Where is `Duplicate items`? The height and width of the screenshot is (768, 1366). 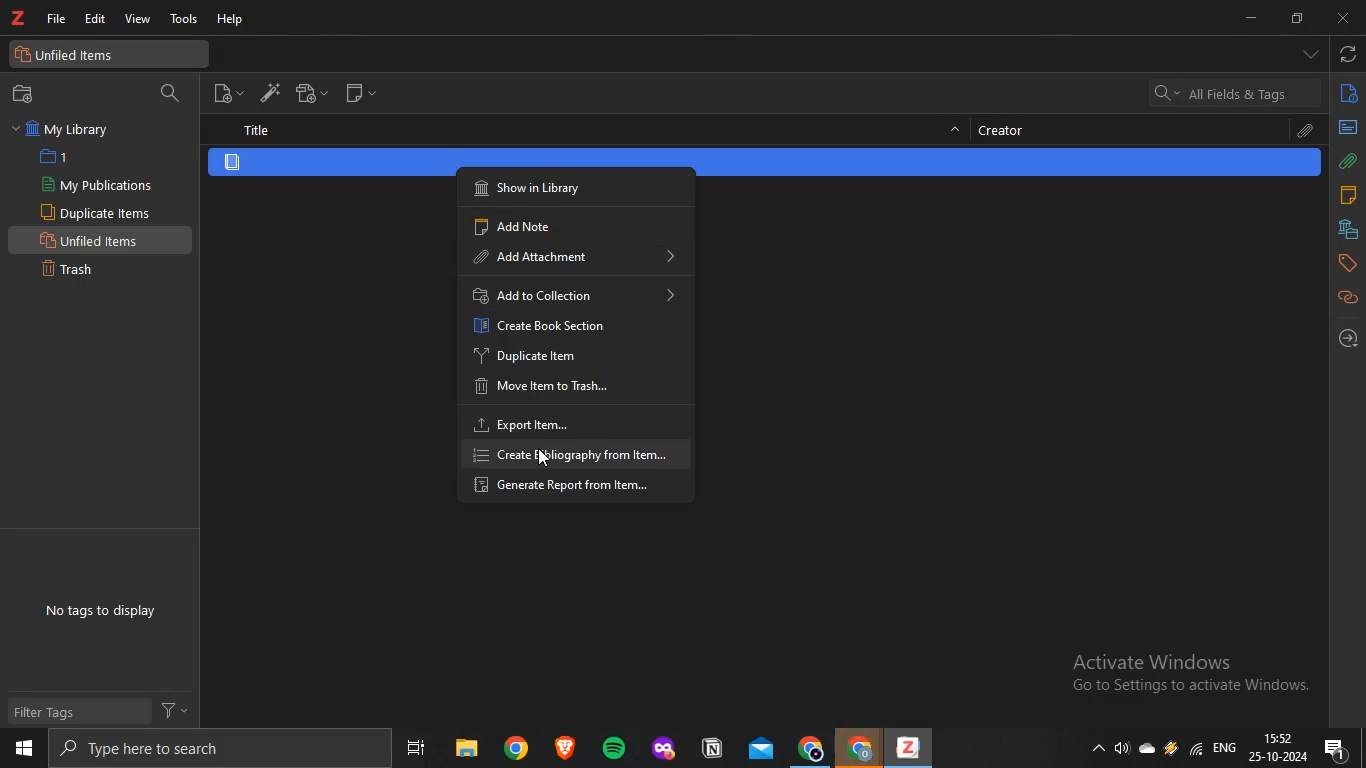 Duplicate items is located at coordinates (97, 212).